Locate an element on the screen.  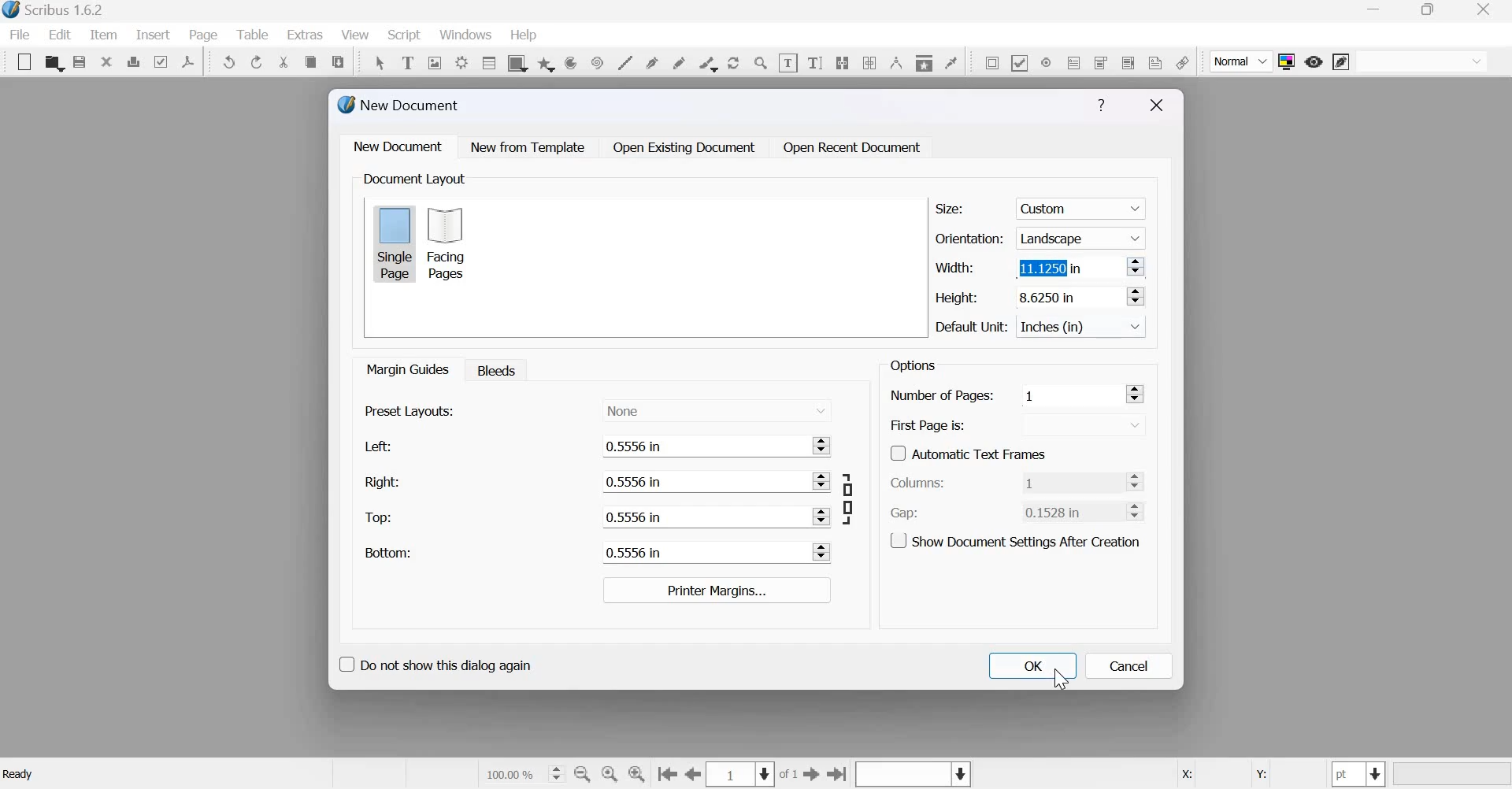
Right: is located at coordinates (381, 481).